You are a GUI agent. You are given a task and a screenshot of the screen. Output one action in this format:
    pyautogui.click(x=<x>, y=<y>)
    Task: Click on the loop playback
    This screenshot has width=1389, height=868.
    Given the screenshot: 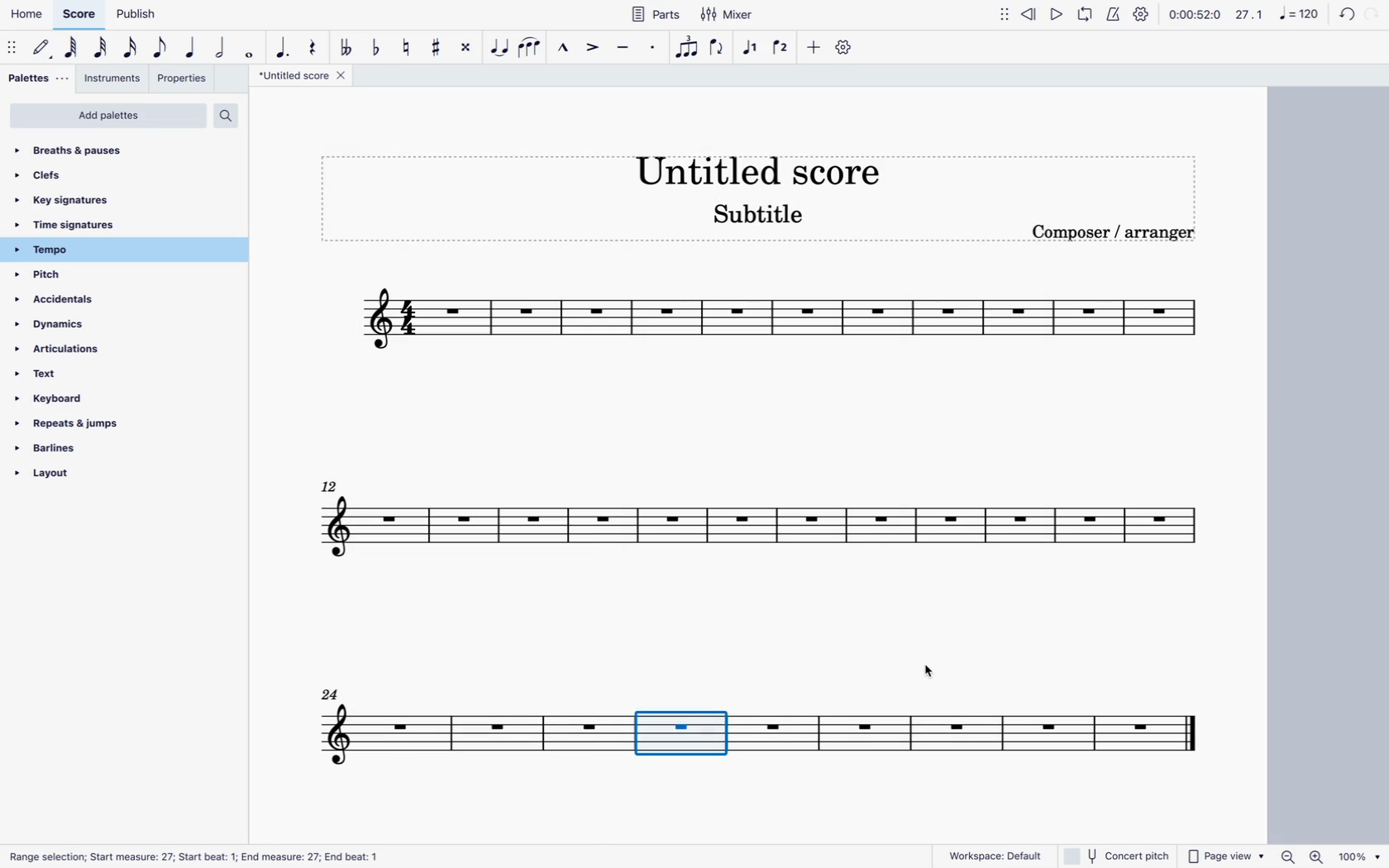 What is the action you would take?
    pyautogui.click(x=1086, y=13)
    